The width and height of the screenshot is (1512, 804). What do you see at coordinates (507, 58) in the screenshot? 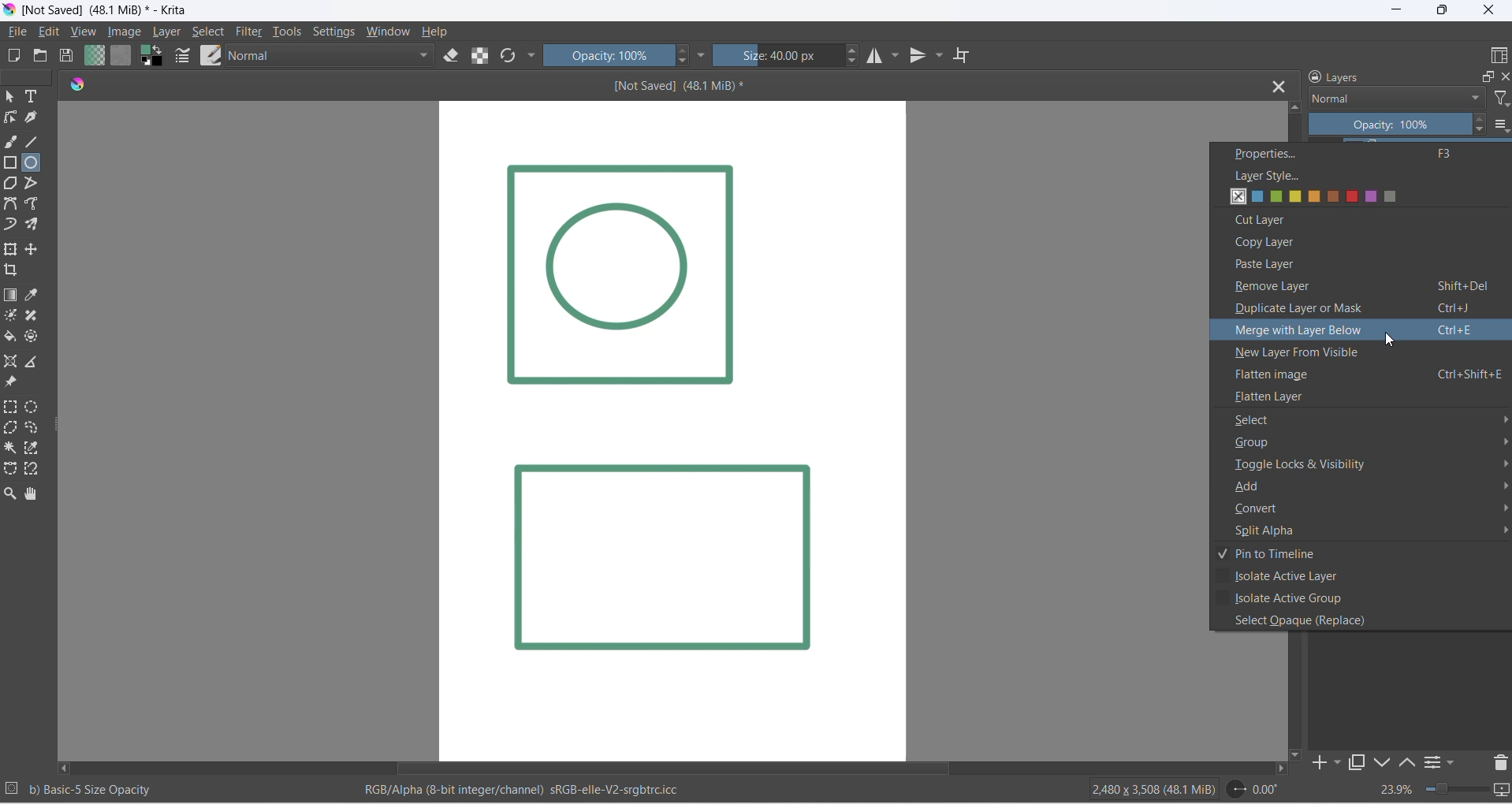
I see `refresh` at bounding box center [507, 58].